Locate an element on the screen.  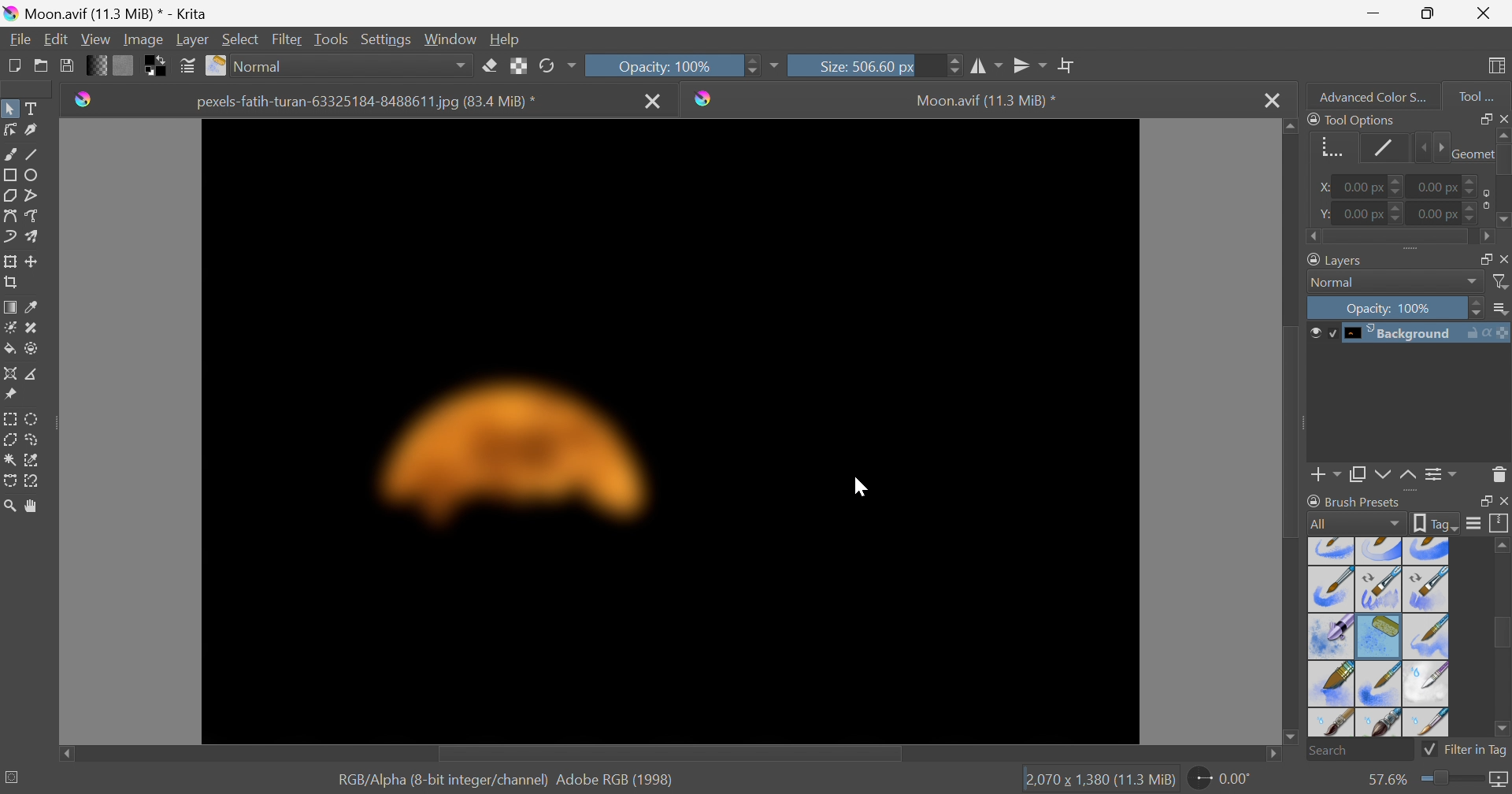
Advanced color is located at coordinates (1379, 95).